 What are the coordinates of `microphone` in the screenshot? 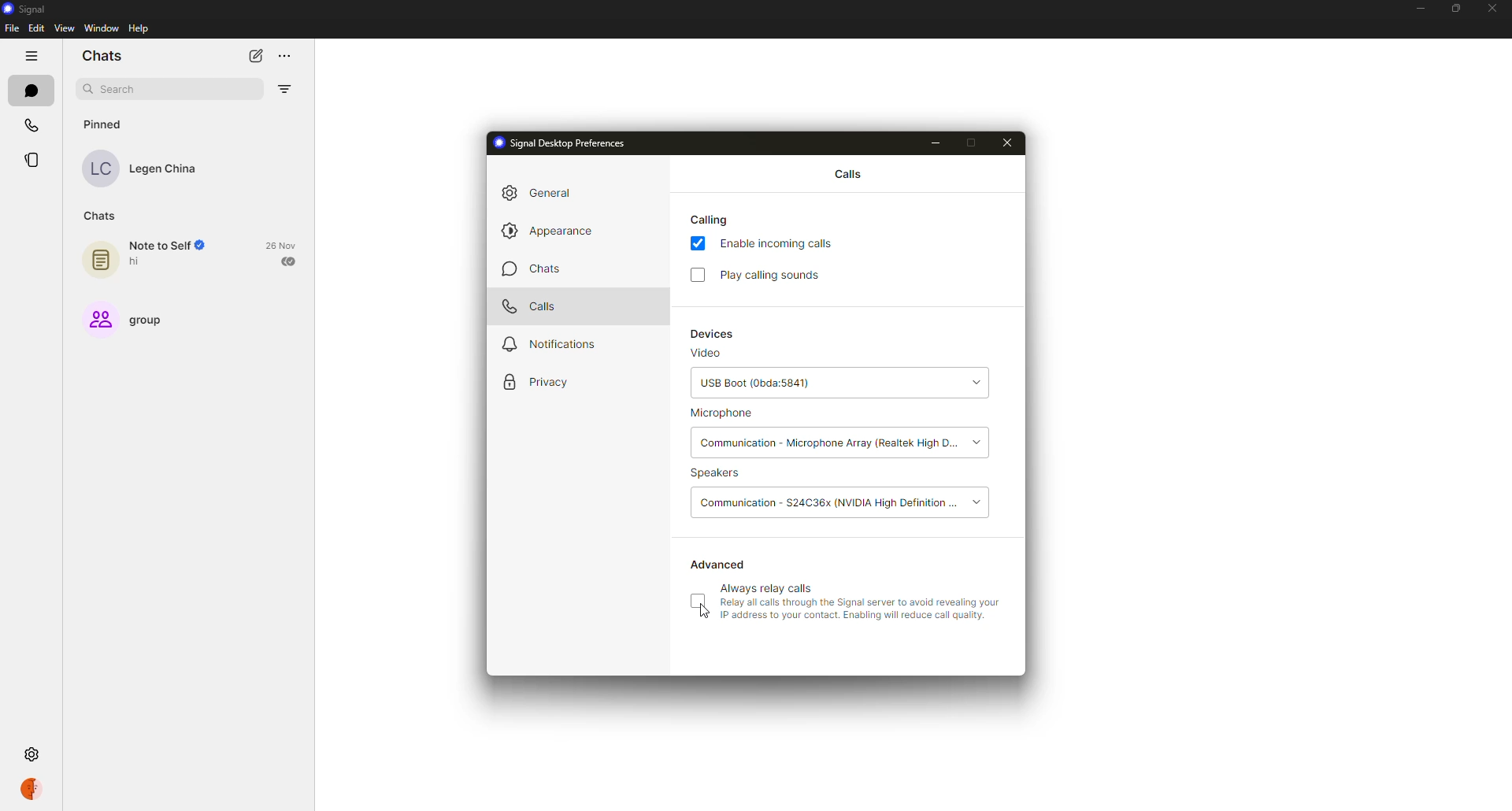 It's located at (723, 415).